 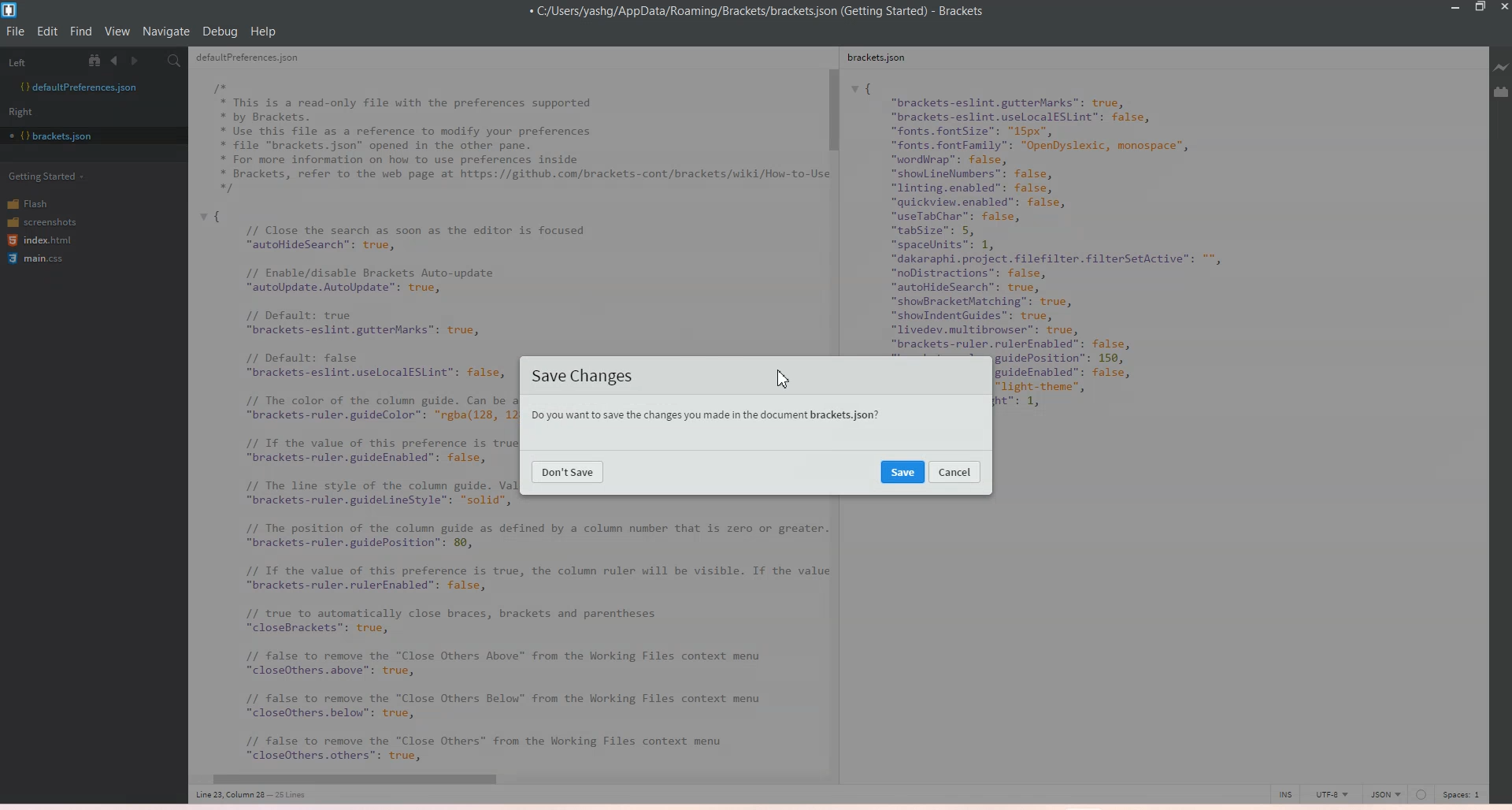 I want to click on Live Preview, so click(x=1499, y=68).